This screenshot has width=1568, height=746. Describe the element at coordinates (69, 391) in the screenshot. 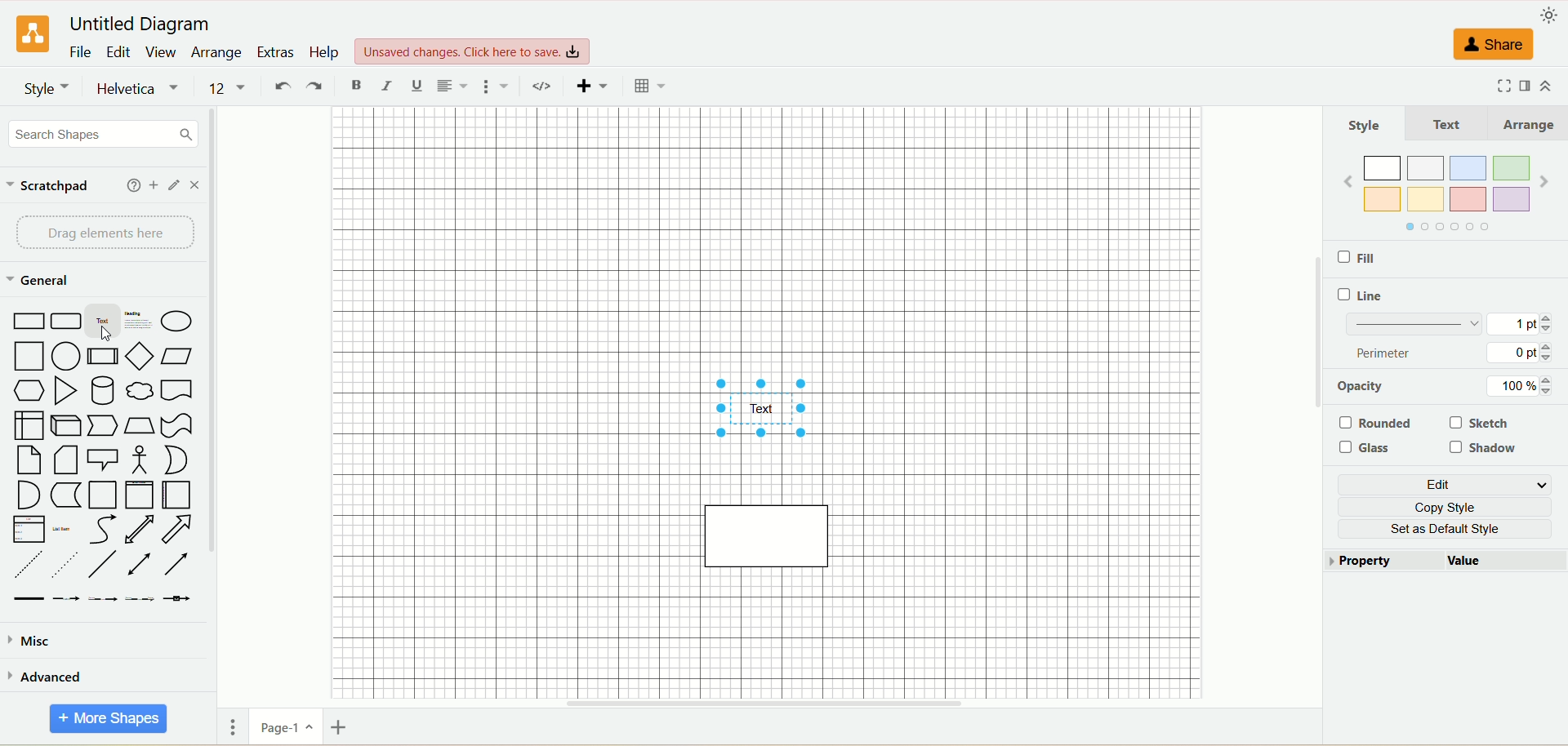

I see `triangle` at that location.